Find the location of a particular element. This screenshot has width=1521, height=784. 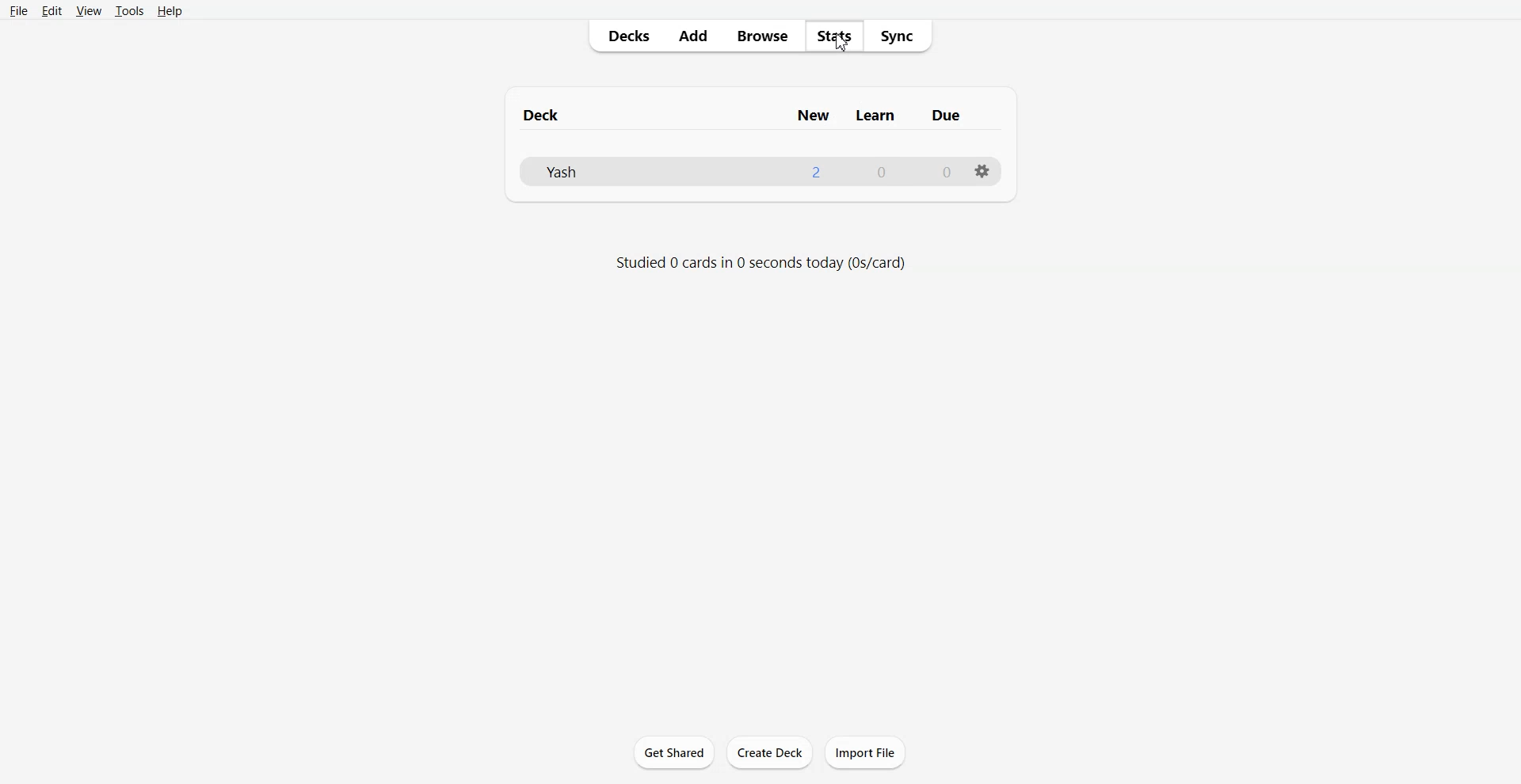

Import File is located at coordinates (865, 752).